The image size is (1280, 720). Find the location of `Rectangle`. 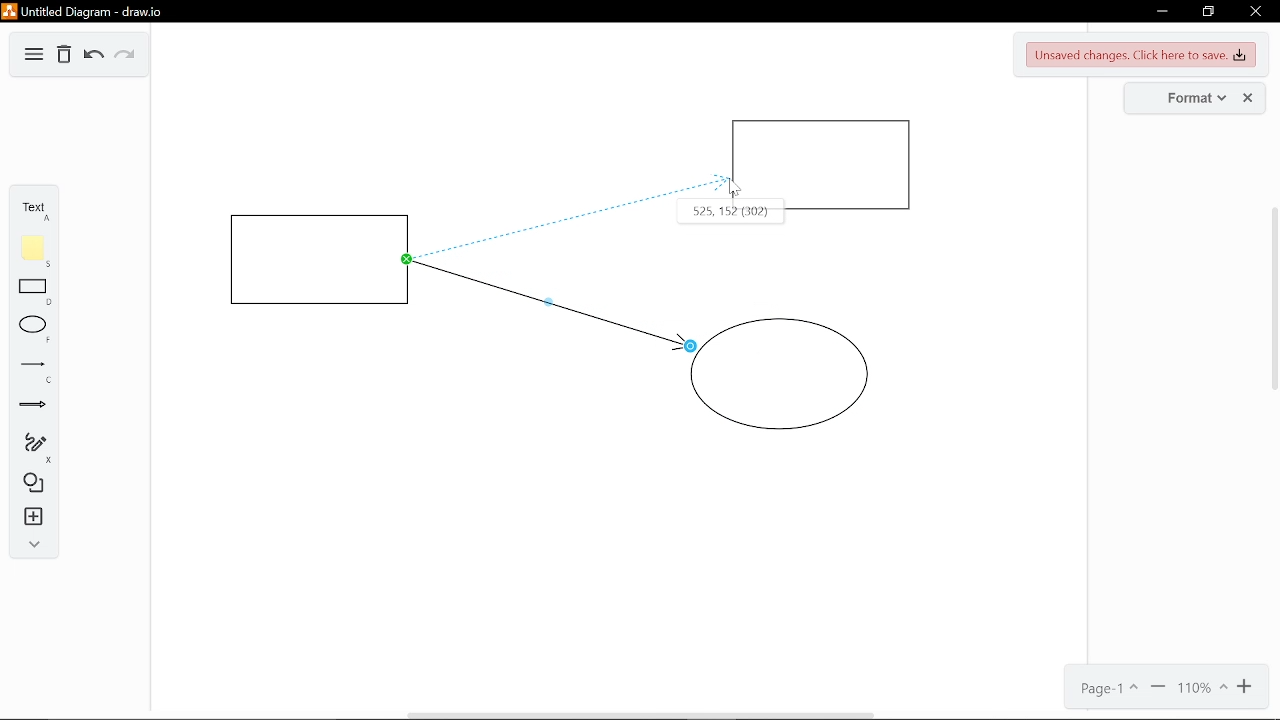

Rectangle is located at coordinates (318, 260).